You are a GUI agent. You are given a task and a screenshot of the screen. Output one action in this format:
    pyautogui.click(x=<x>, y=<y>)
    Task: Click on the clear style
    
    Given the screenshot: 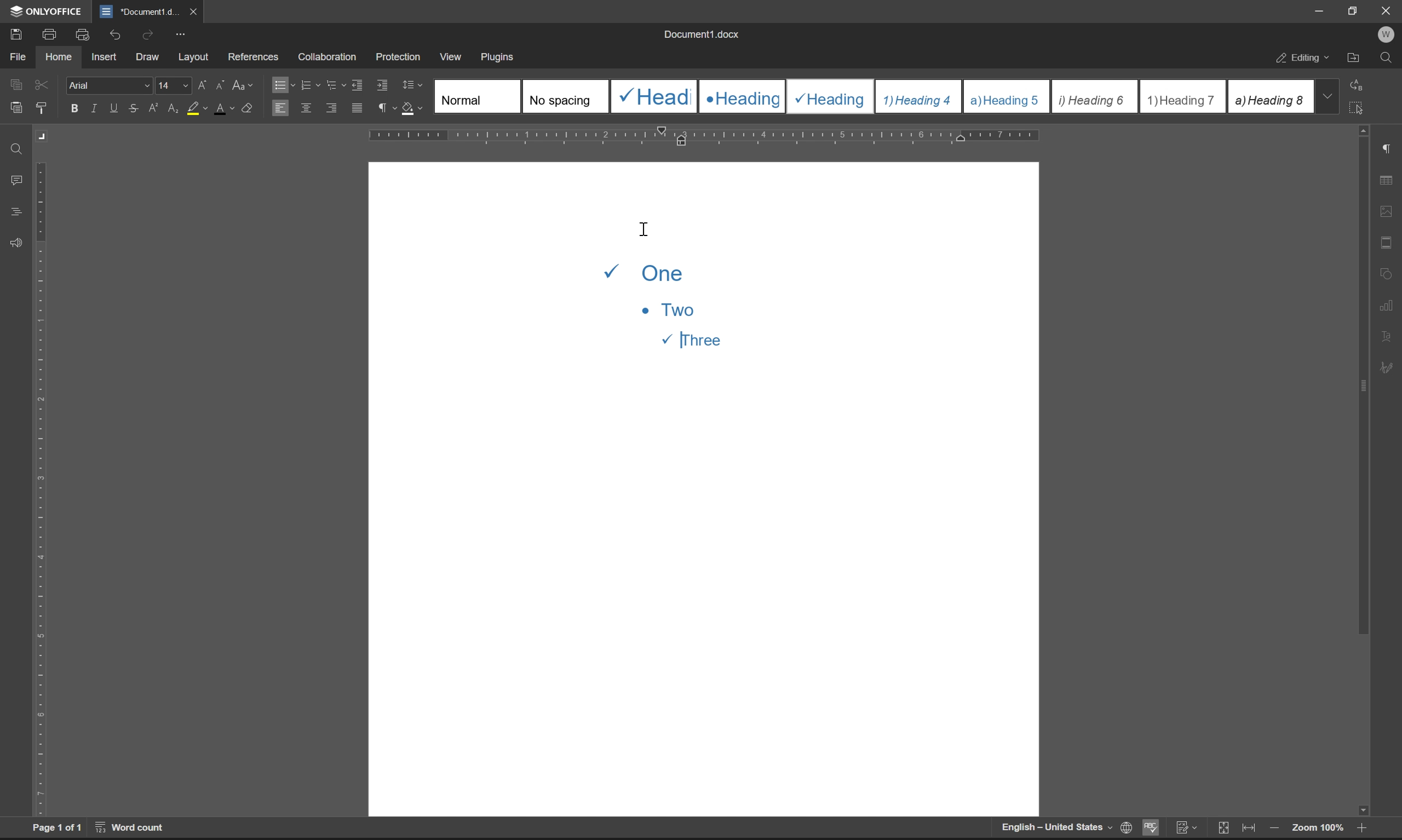 What is the action you would take?
    pyautogui.click(x=248, y=106)
    